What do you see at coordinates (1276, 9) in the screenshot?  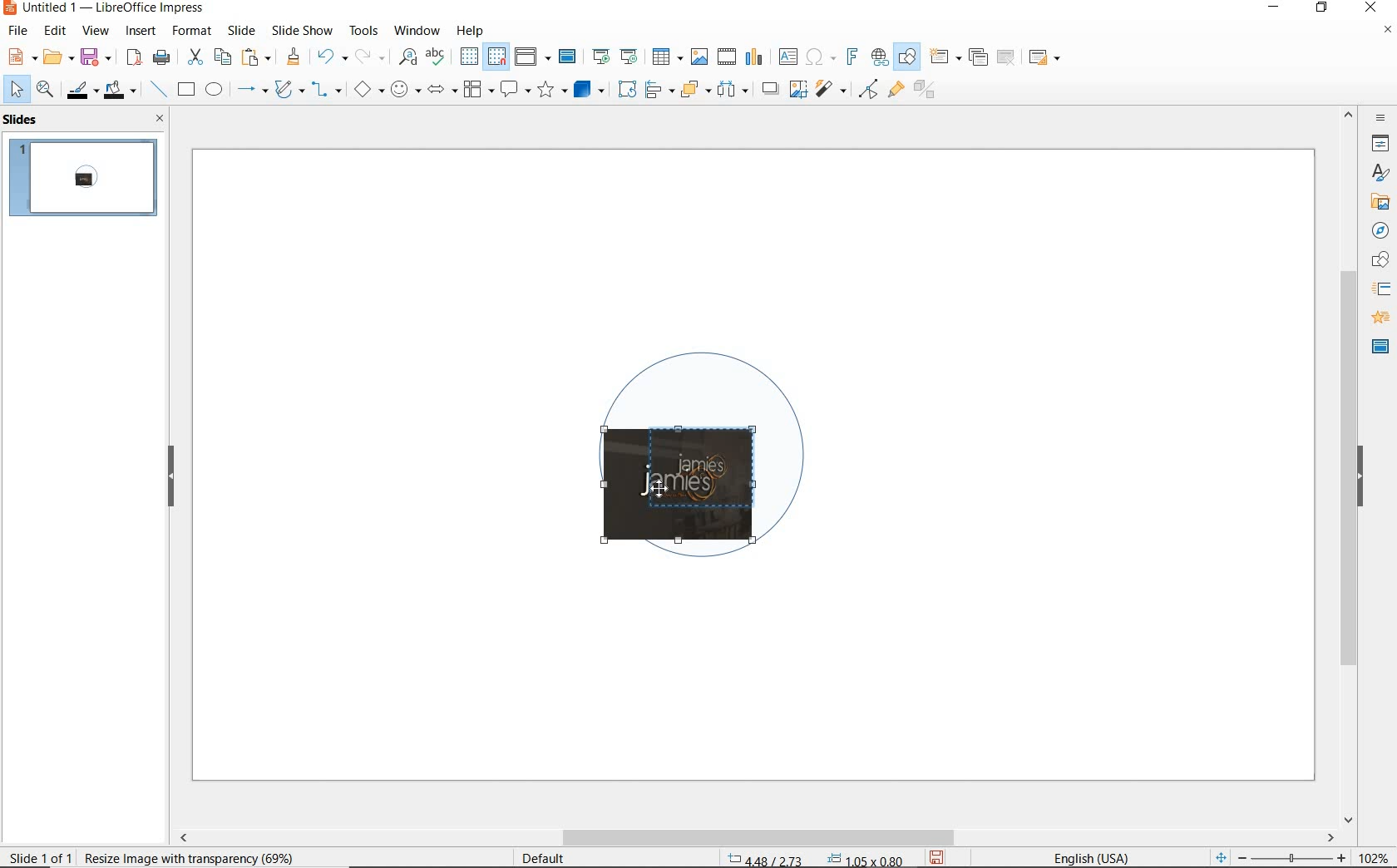 I see `minimize` at bounding box center [1276, 9].